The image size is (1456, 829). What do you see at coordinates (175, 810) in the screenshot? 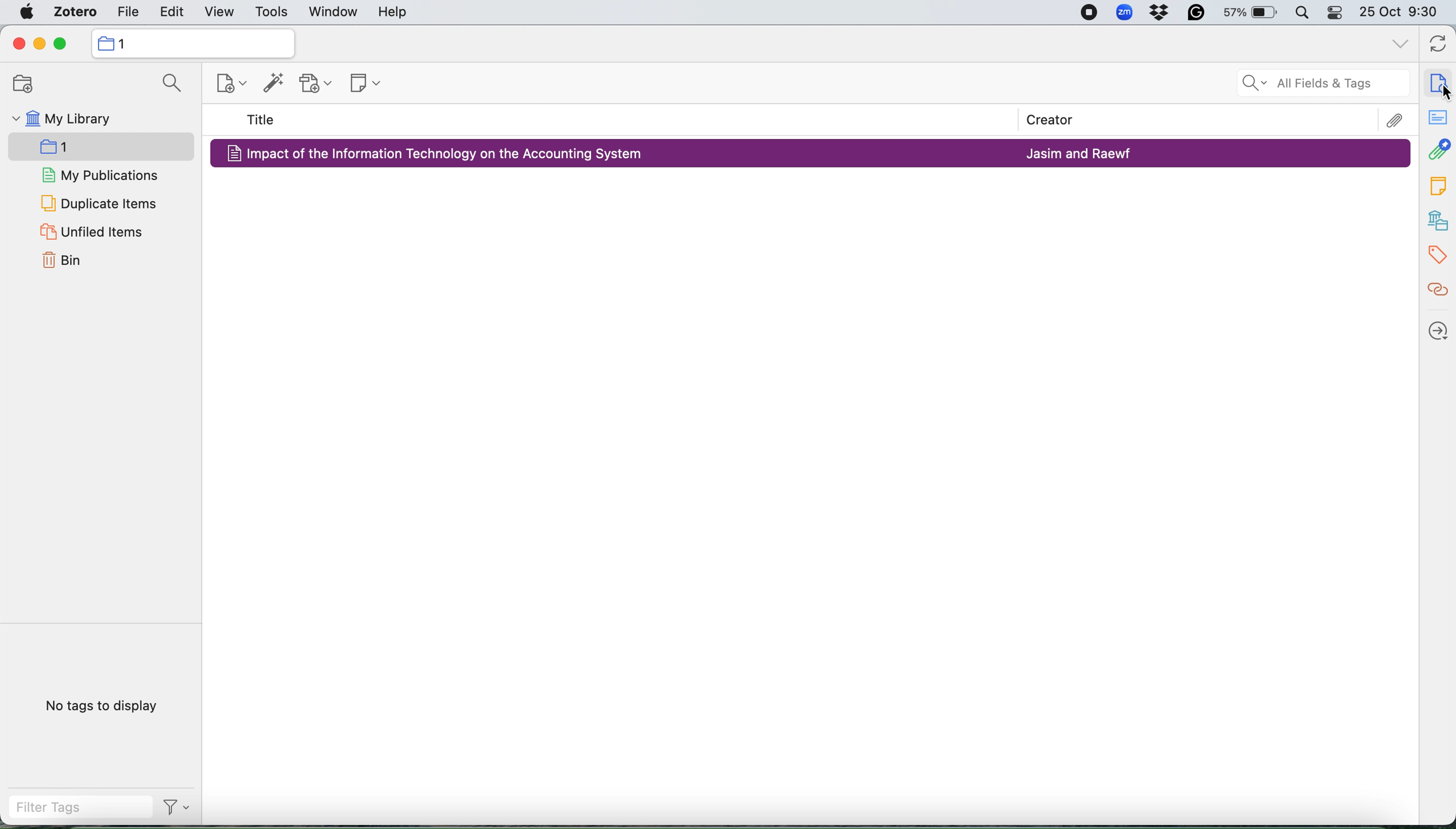
I see `actions` at bounding box center [175, 810].